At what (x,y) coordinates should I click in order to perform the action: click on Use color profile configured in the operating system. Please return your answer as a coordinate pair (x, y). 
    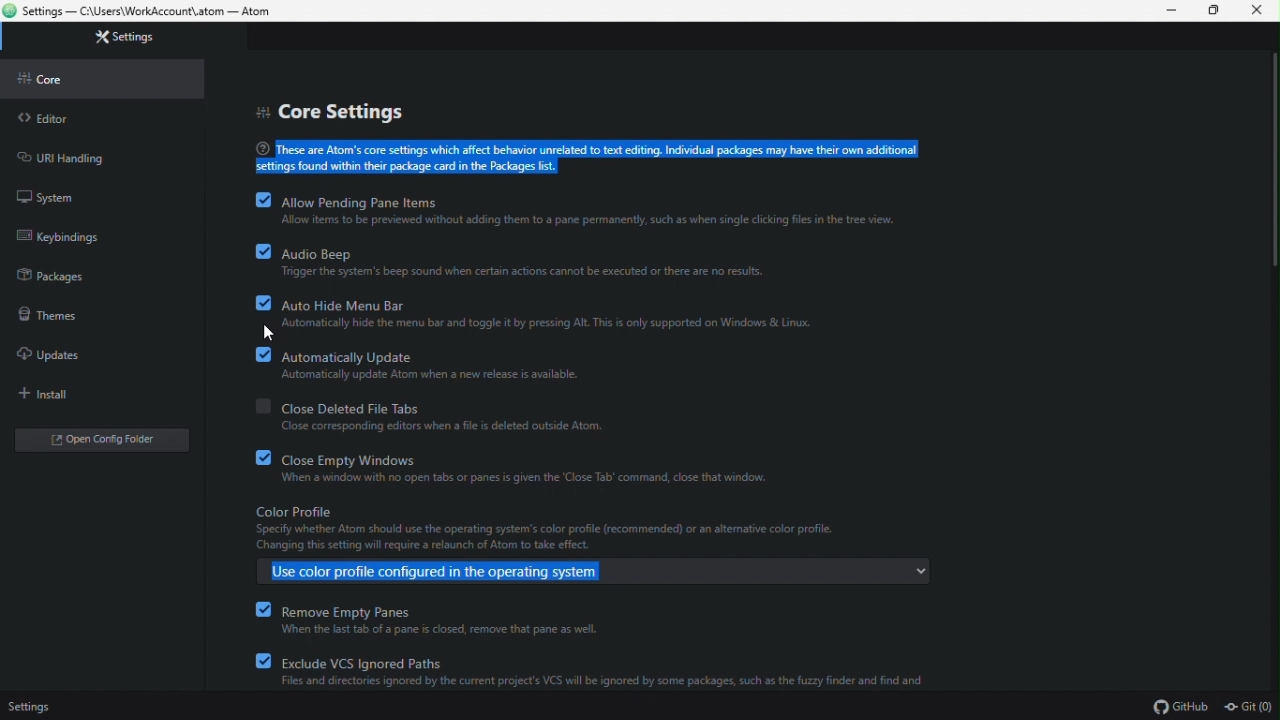
    Looking at the image, I should click on (447, 574).